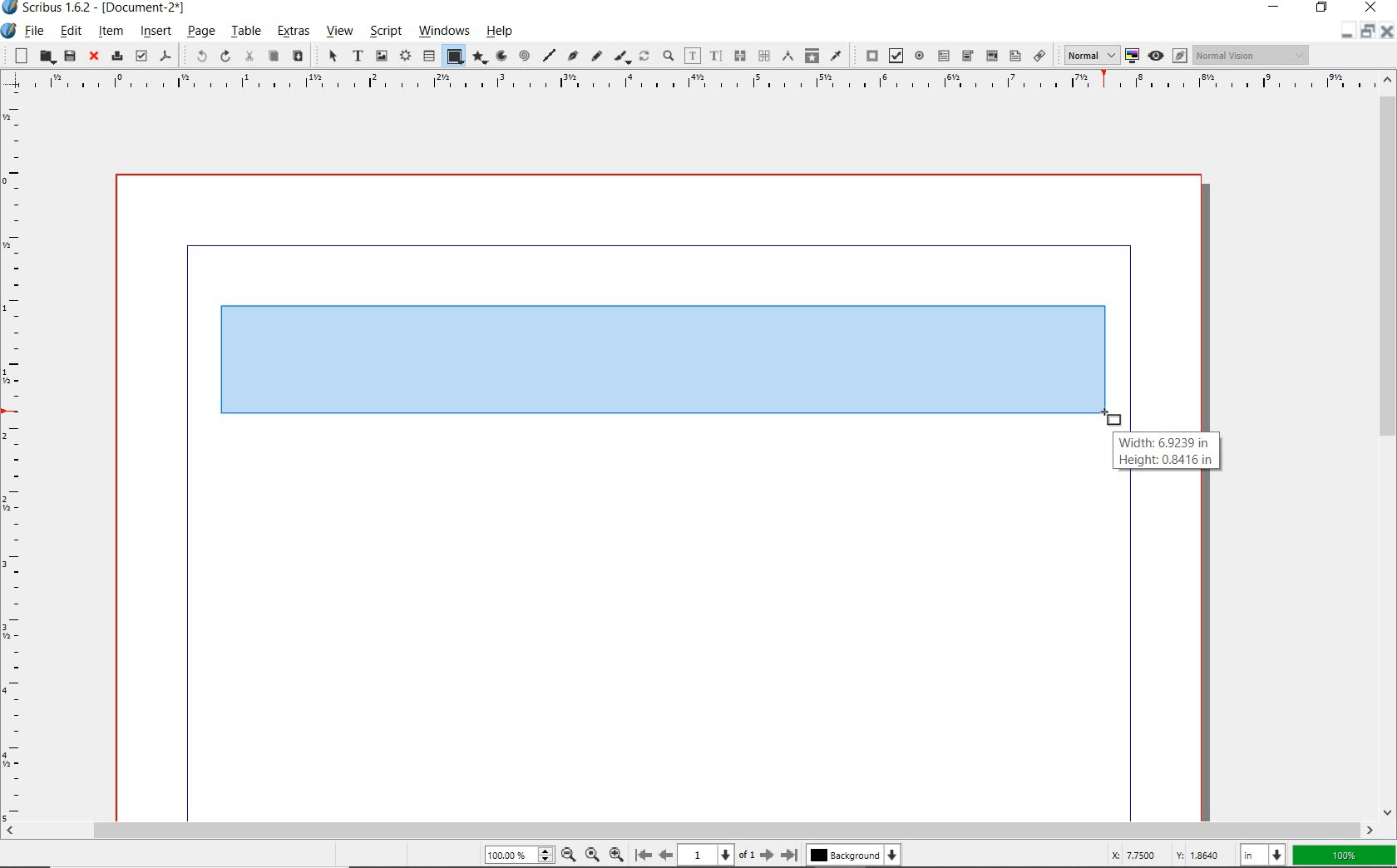 The height and width of the screenshot is (868, 1397). I want to click on move to first, so click(642, 854).